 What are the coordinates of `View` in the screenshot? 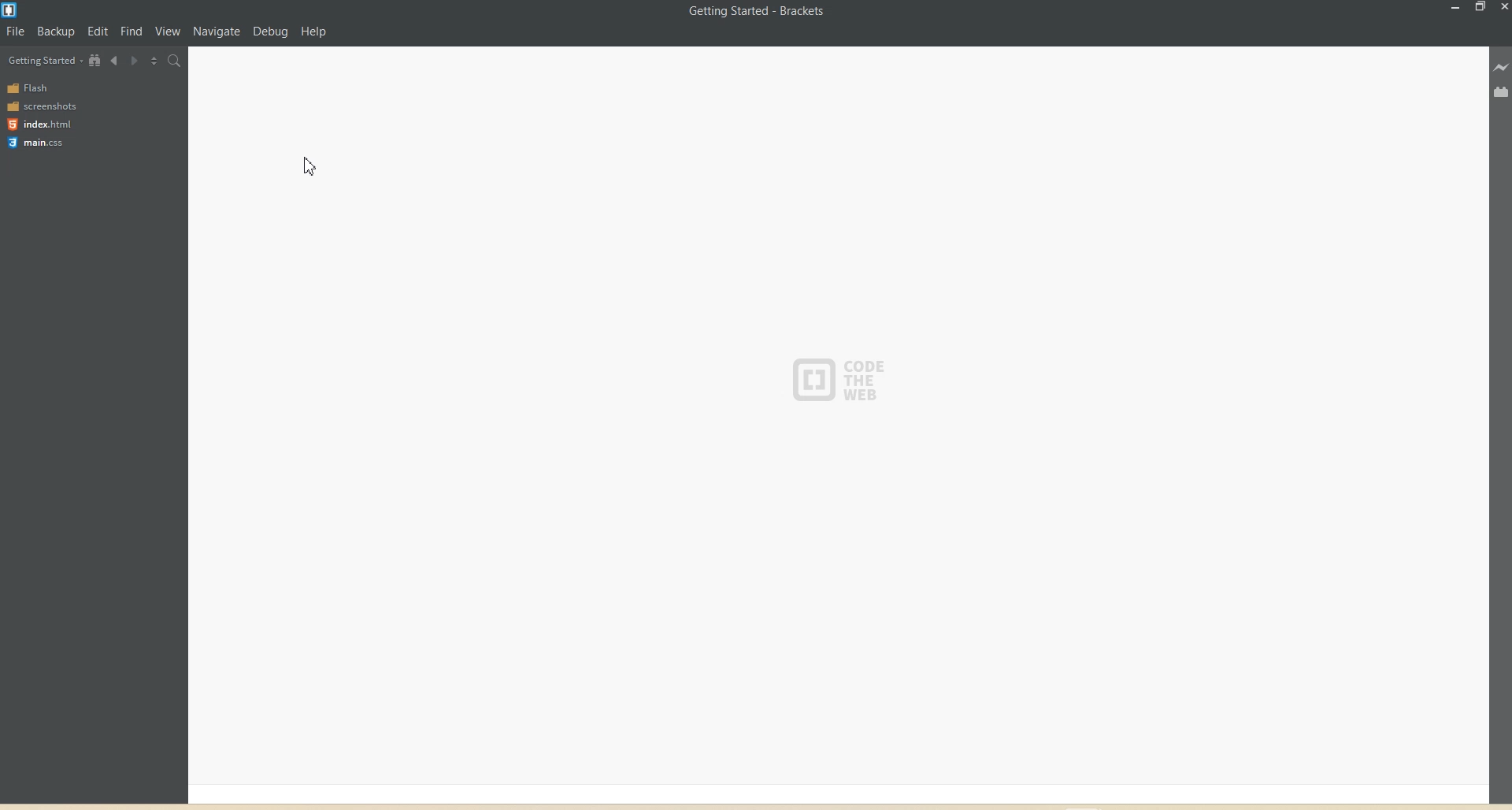 It's located at (171, 28).